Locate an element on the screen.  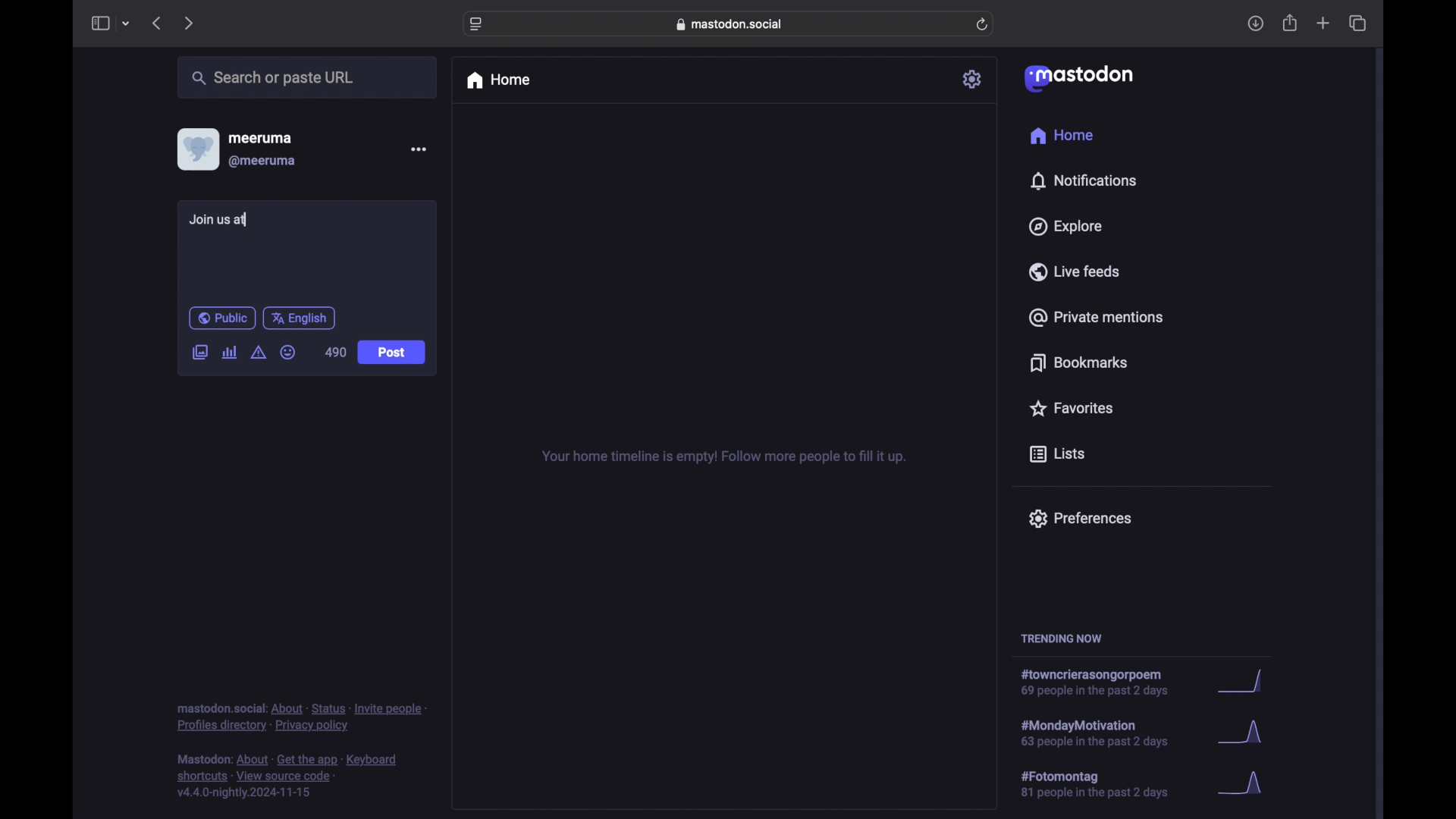
settings is located at coordinates (974, 79).